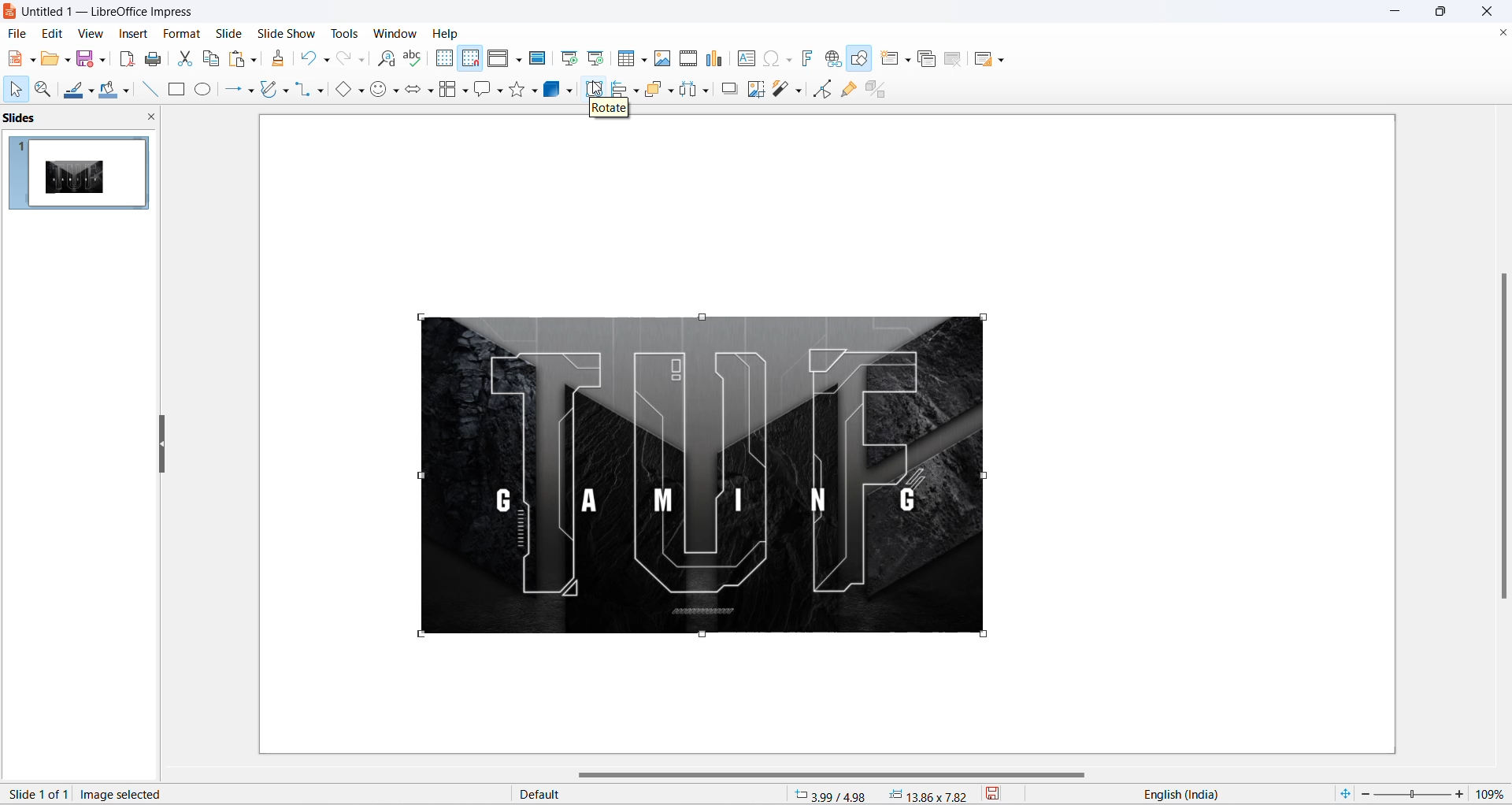  What do you see at coordinates (253, 57) in the screenshot?
I see `paste options` at bounding box center [253, 57].